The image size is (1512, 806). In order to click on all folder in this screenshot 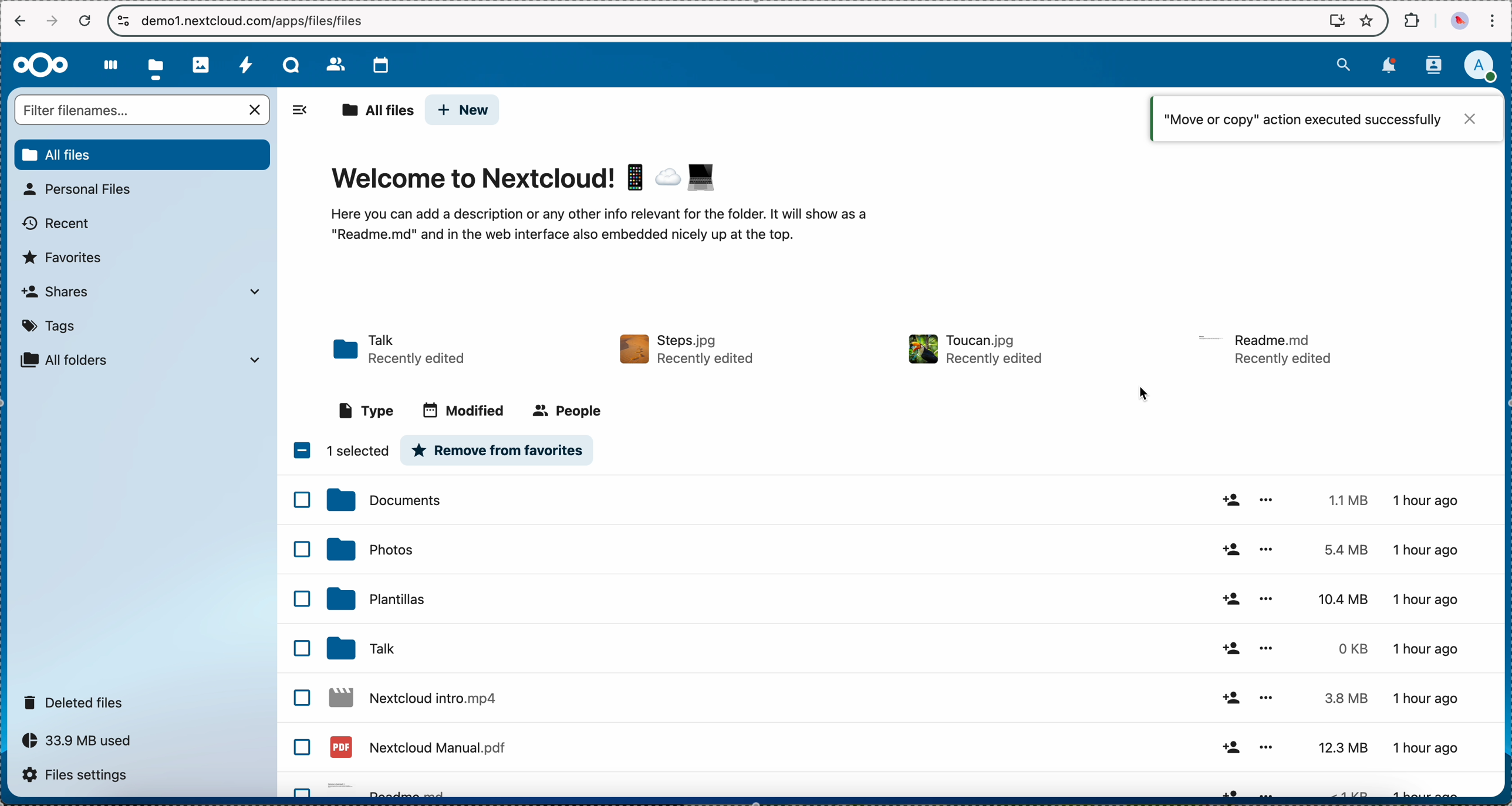, I will do `click(146, 359)`.